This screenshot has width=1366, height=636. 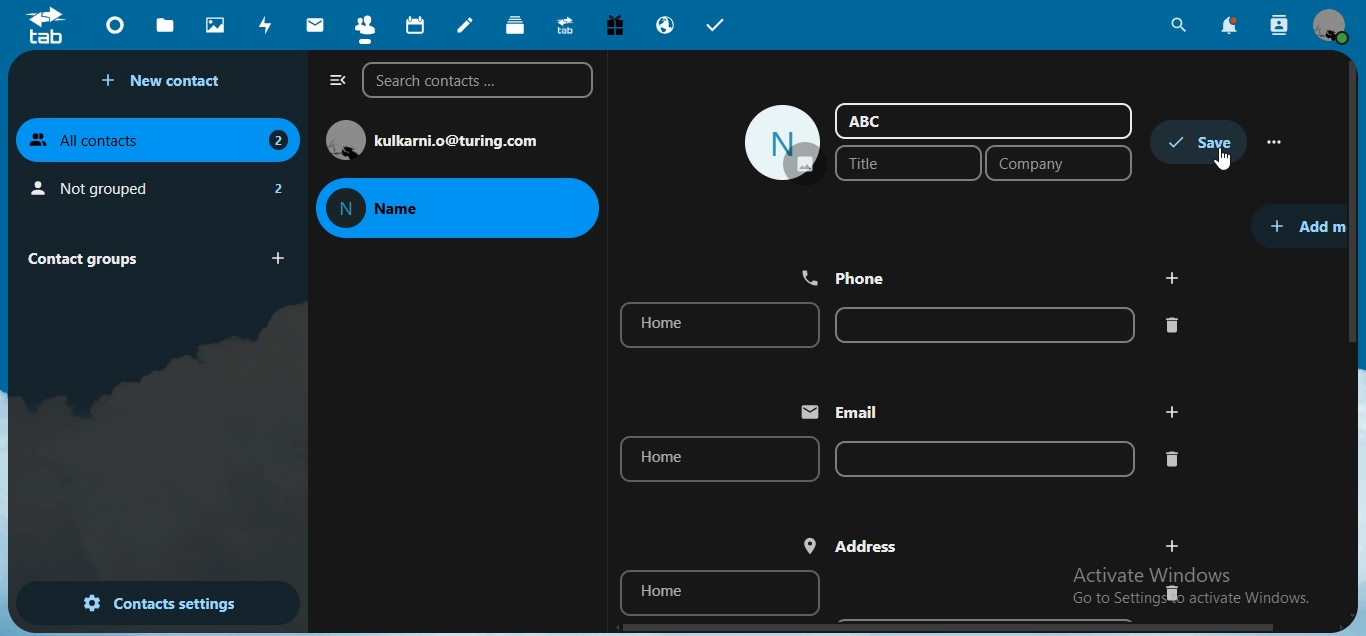 I want to click on image, so click(x=782, y=144).